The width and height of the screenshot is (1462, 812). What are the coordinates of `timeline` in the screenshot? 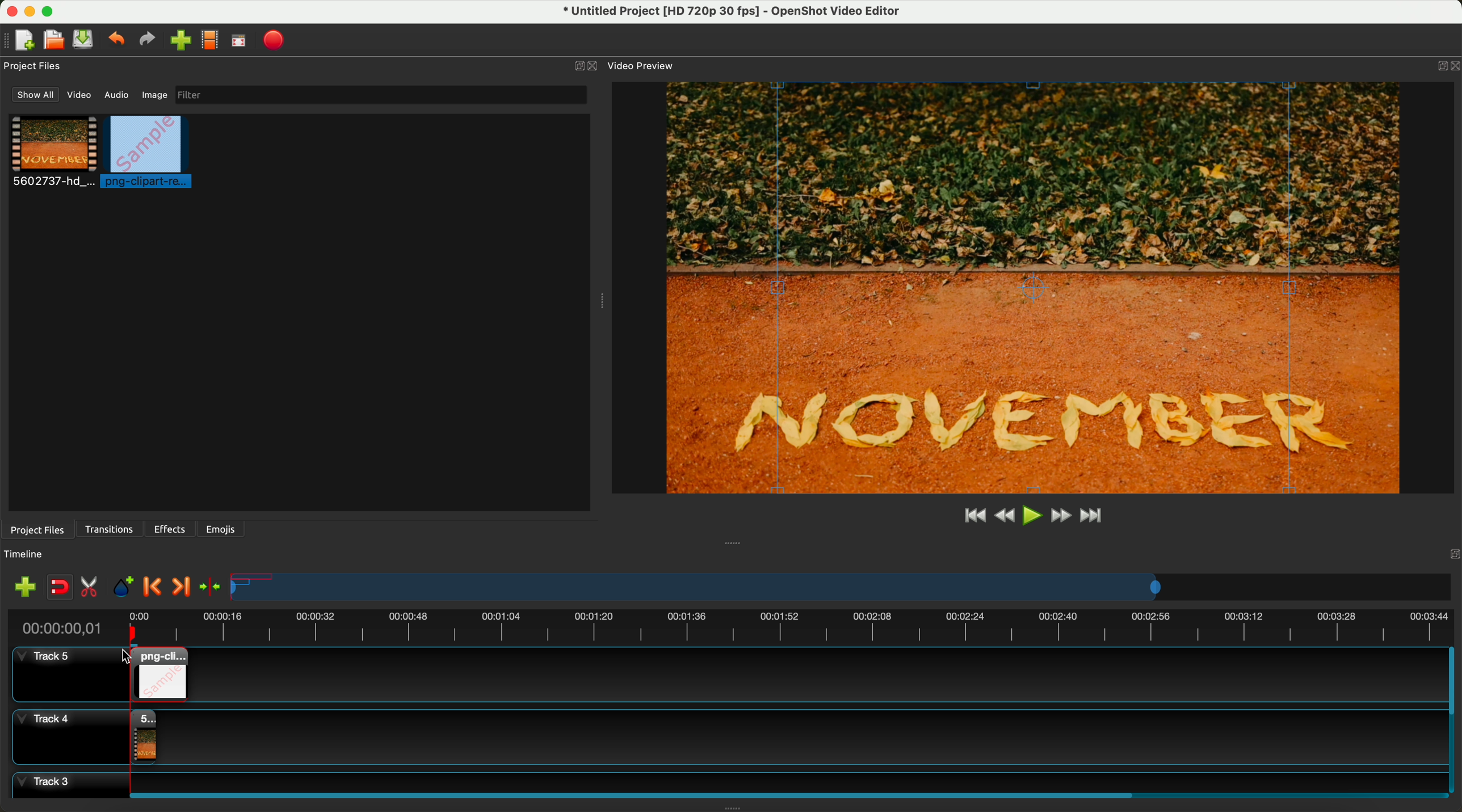 It's located at (730, 626).